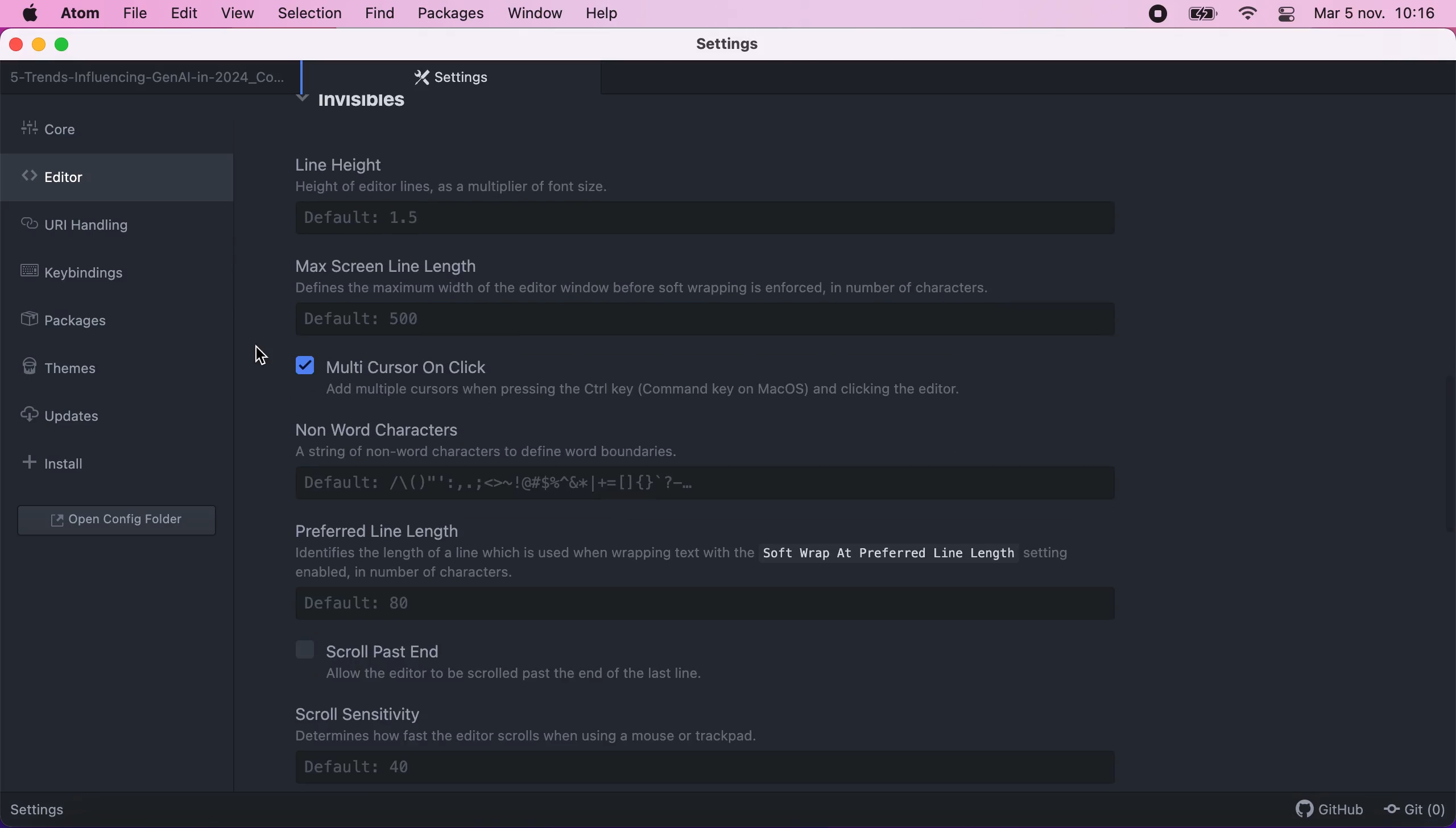 The image size is (1456, 828). I want to click on control panel, so click(1288, 16).